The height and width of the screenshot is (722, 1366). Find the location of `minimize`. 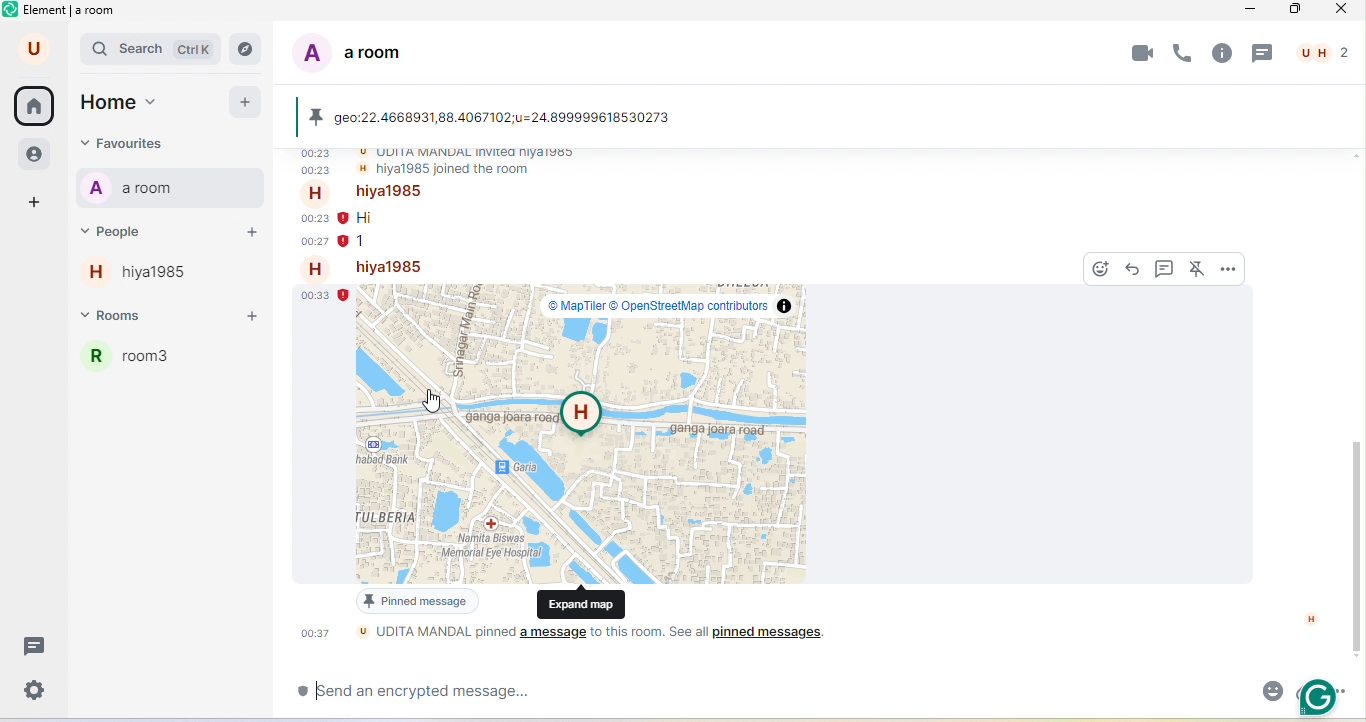

minimize is located at coordinates (1252, 12).